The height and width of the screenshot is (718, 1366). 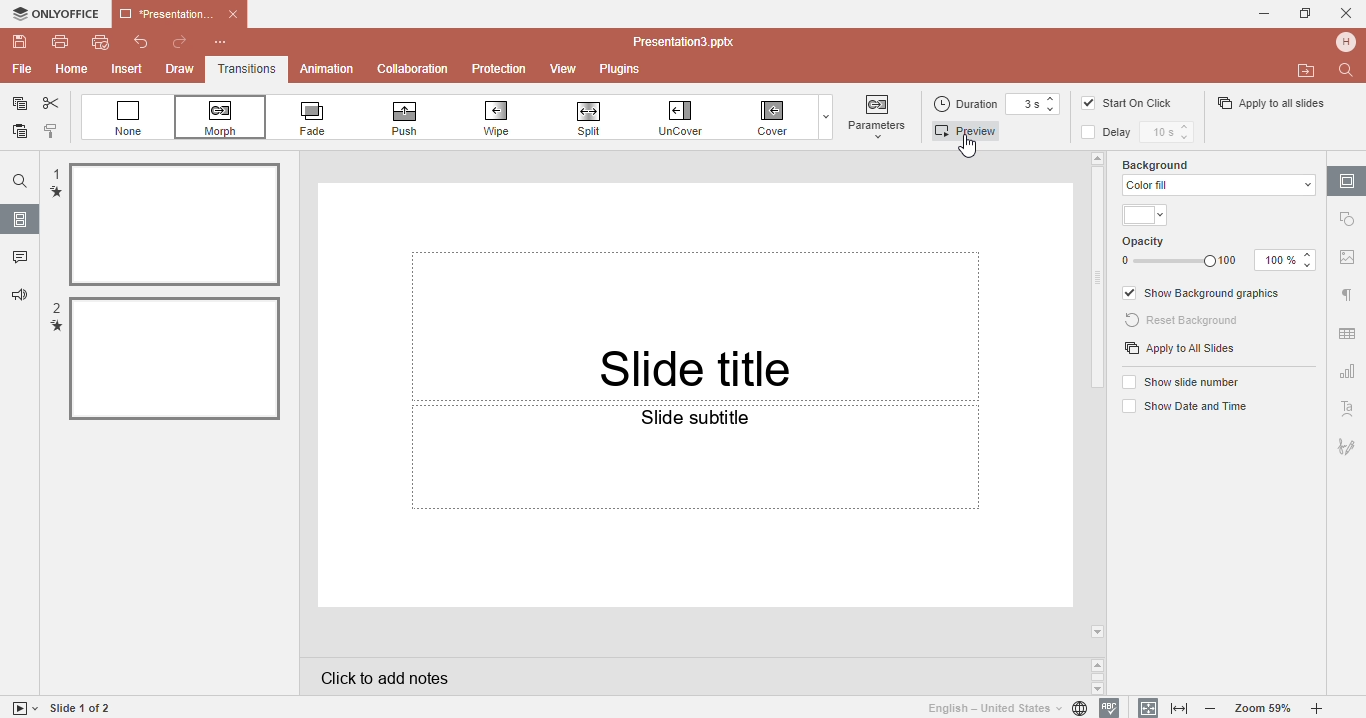 What do you see at coordinates (1347, 261) in the screenshot?
I see `Image settings` at bounding box center [1347, 261].